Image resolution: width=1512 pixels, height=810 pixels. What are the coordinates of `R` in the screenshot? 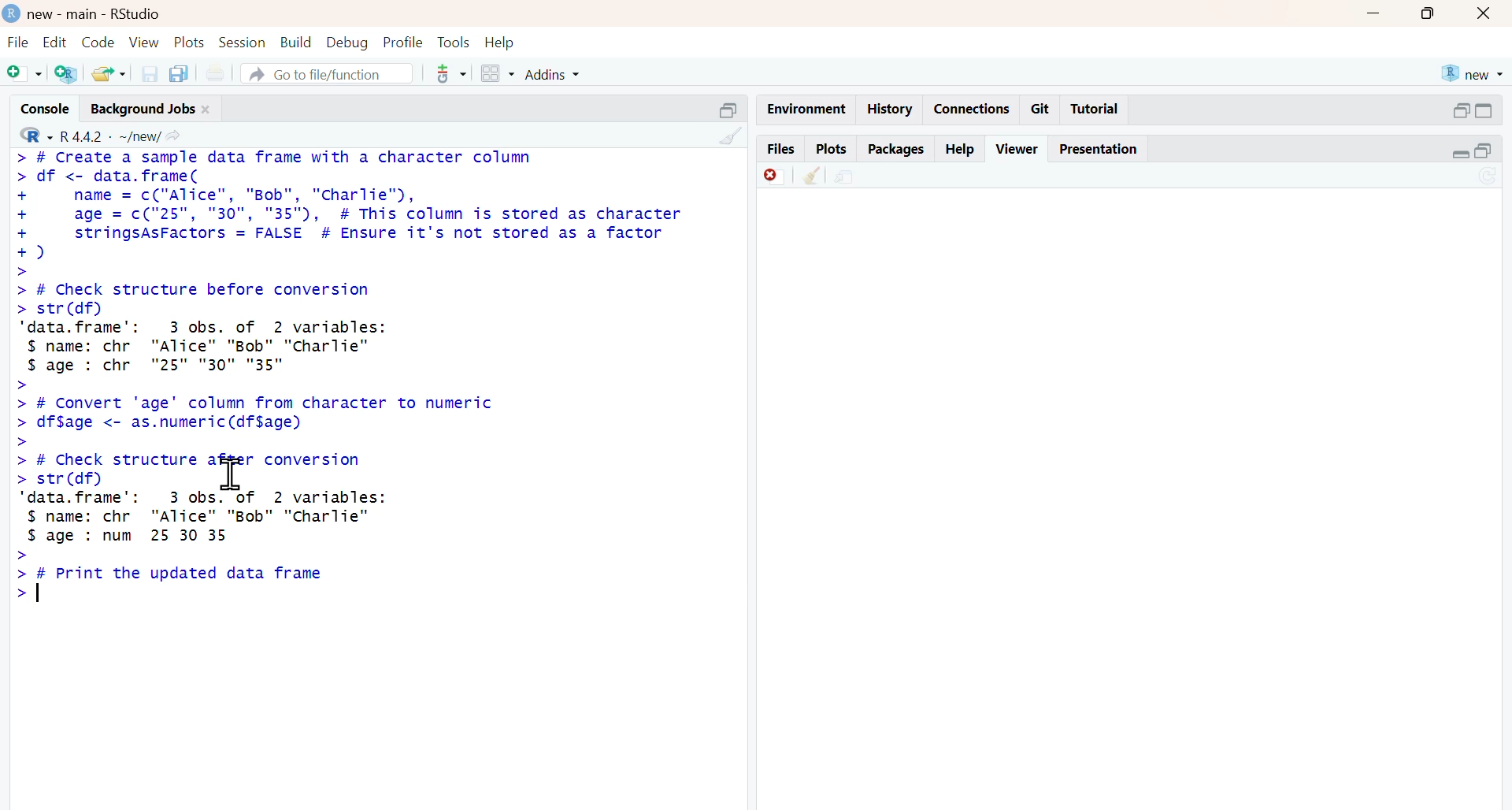 It's located at (36, 135).